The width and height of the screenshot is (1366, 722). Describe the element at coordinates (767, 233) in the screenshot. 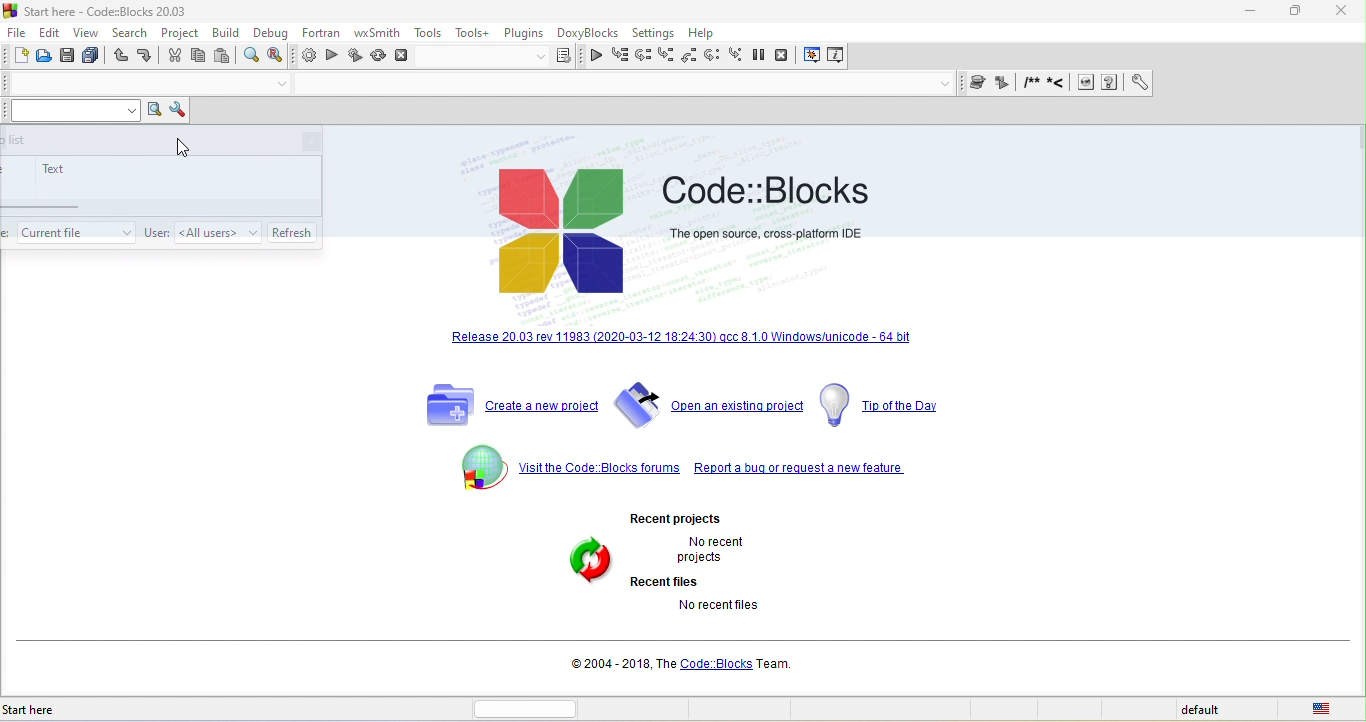

I see `the open source cross platform ide` at that location.